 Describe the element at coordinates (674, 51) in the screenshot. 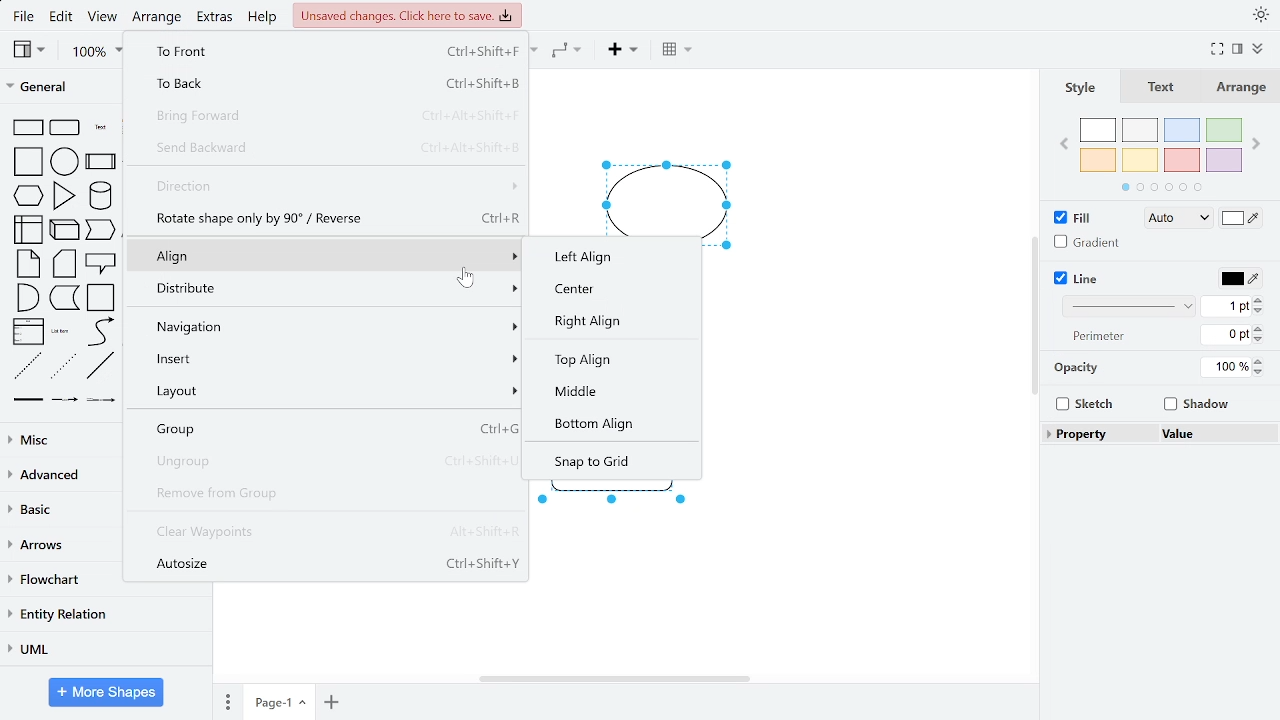

I see `table` at that location.